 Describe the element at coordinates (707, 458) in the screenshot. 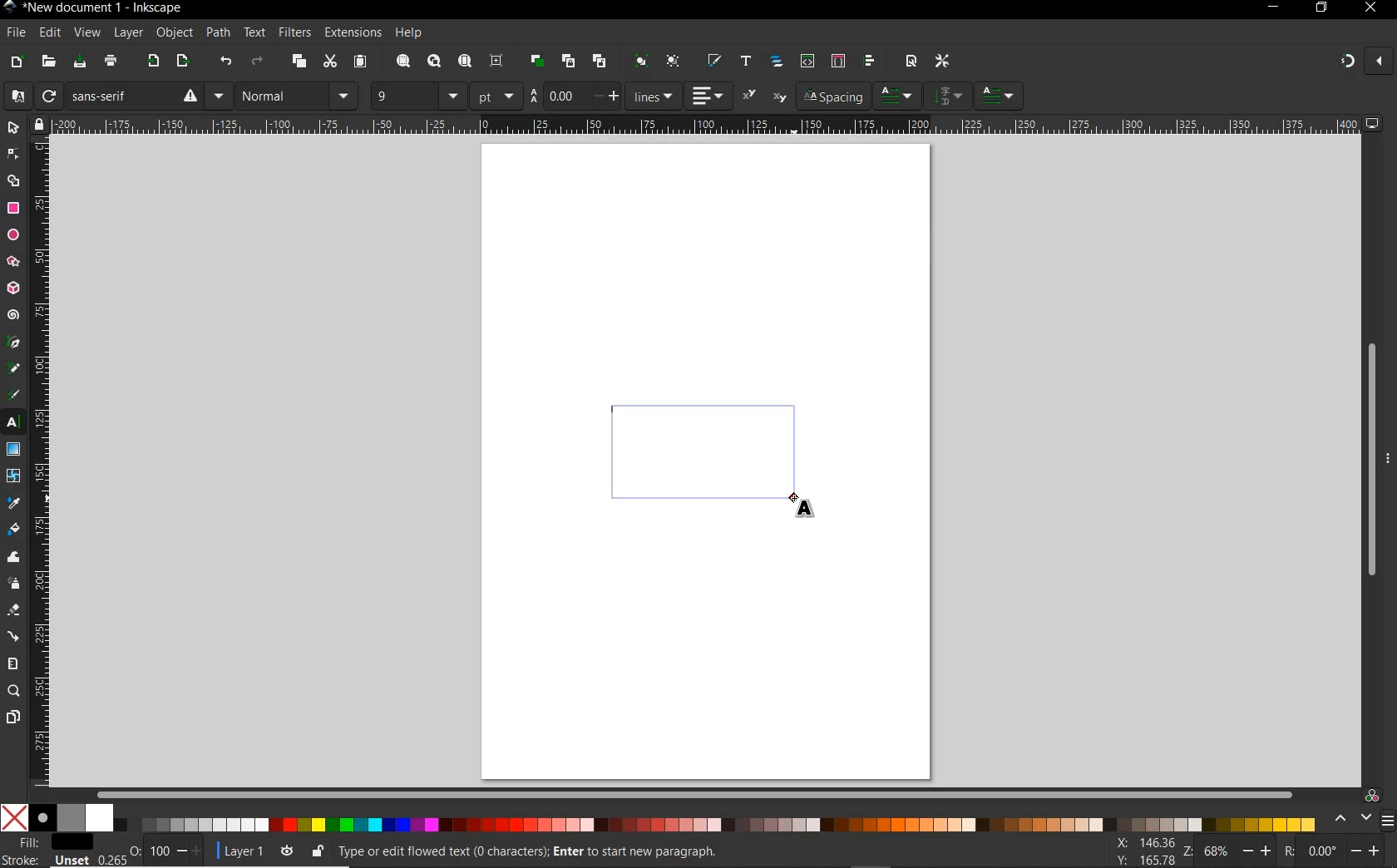

I see `canvas` at that location.